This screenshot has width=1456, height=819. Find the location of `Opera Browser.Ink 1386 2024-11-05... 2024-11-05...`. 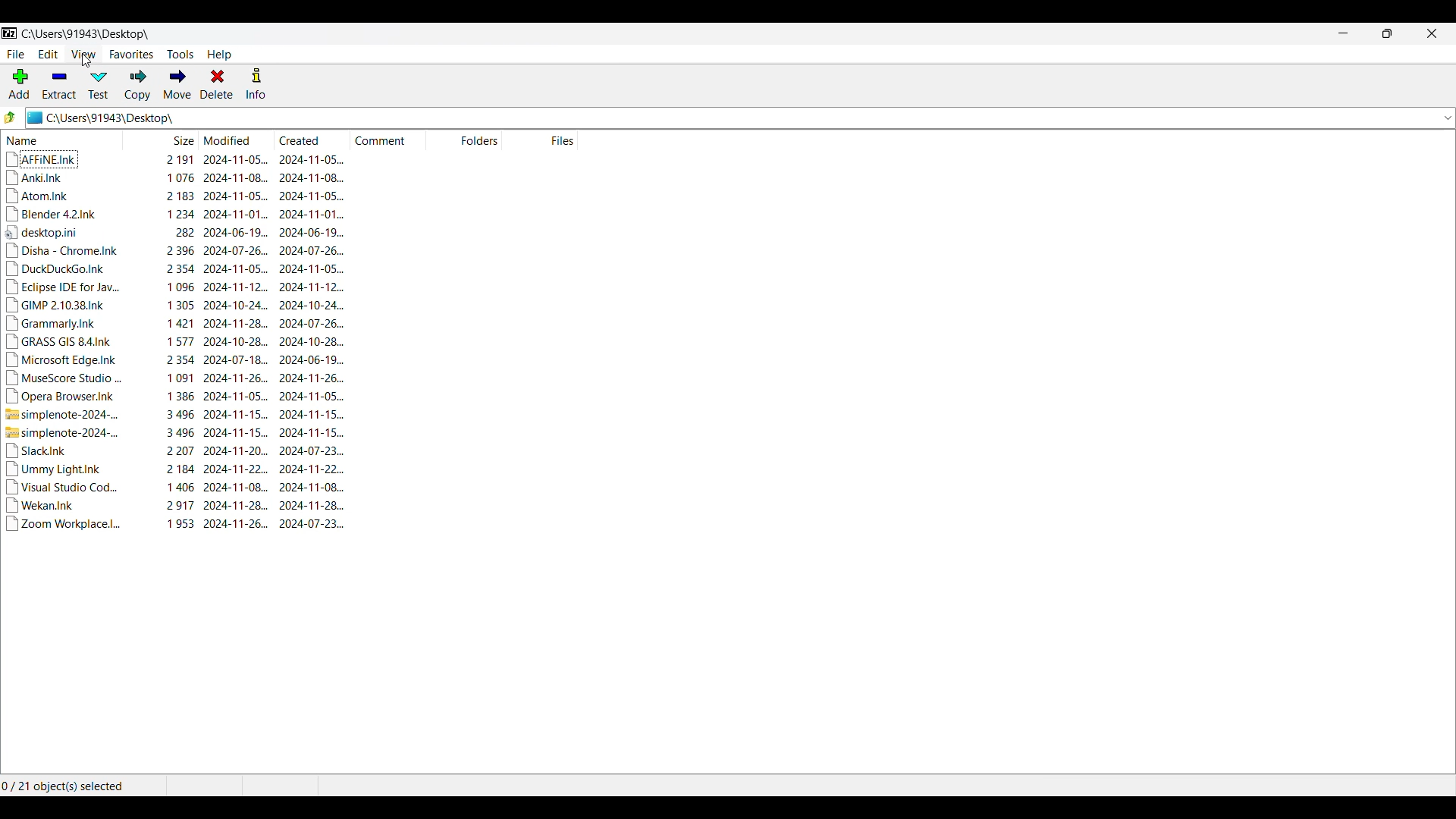

Opera Browser.Ink 1386 2024-11-05... 2024-11-05... is located at coordinates (176, 396).